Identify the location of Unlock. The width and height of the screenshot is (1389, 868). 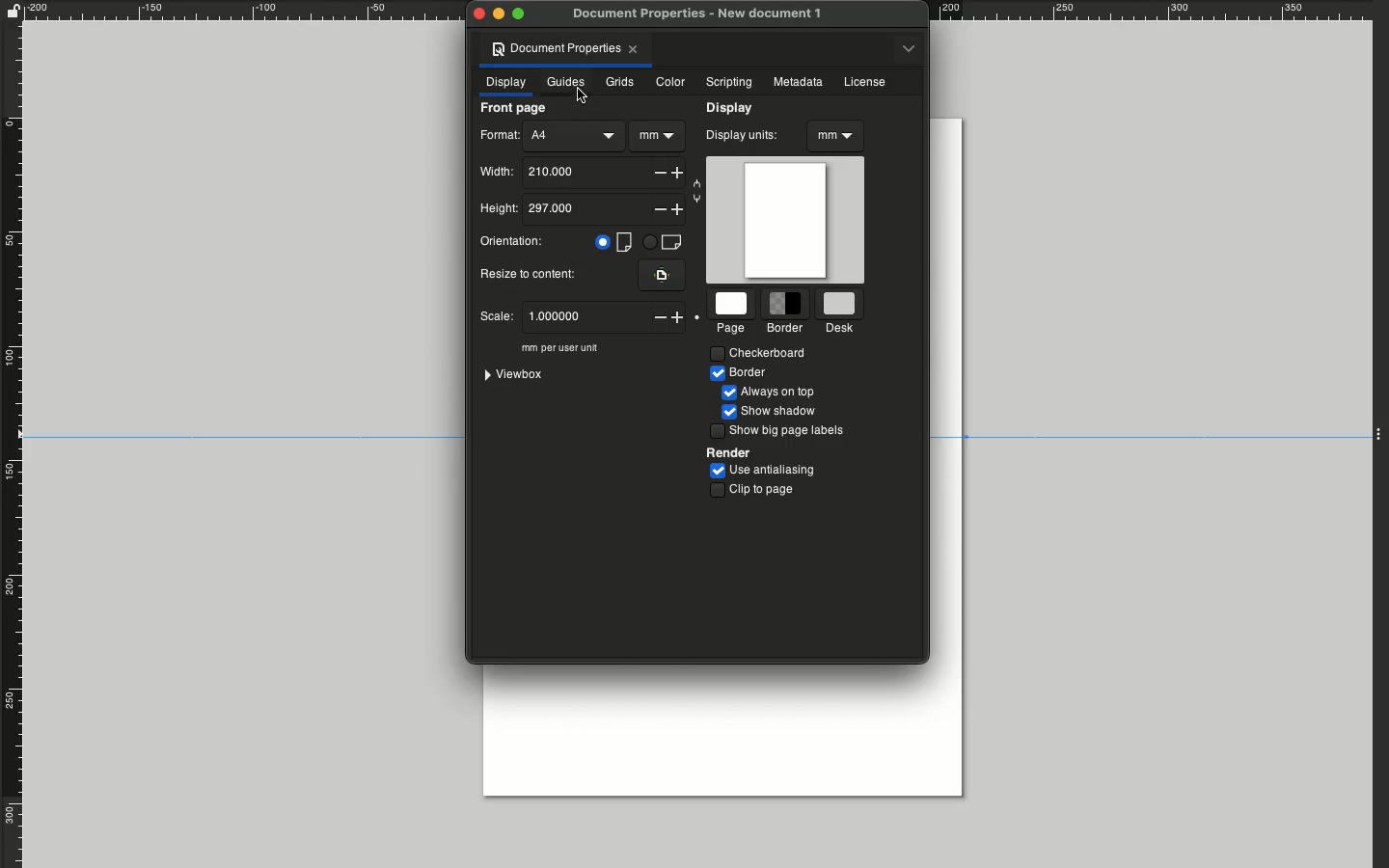
(13, 10).